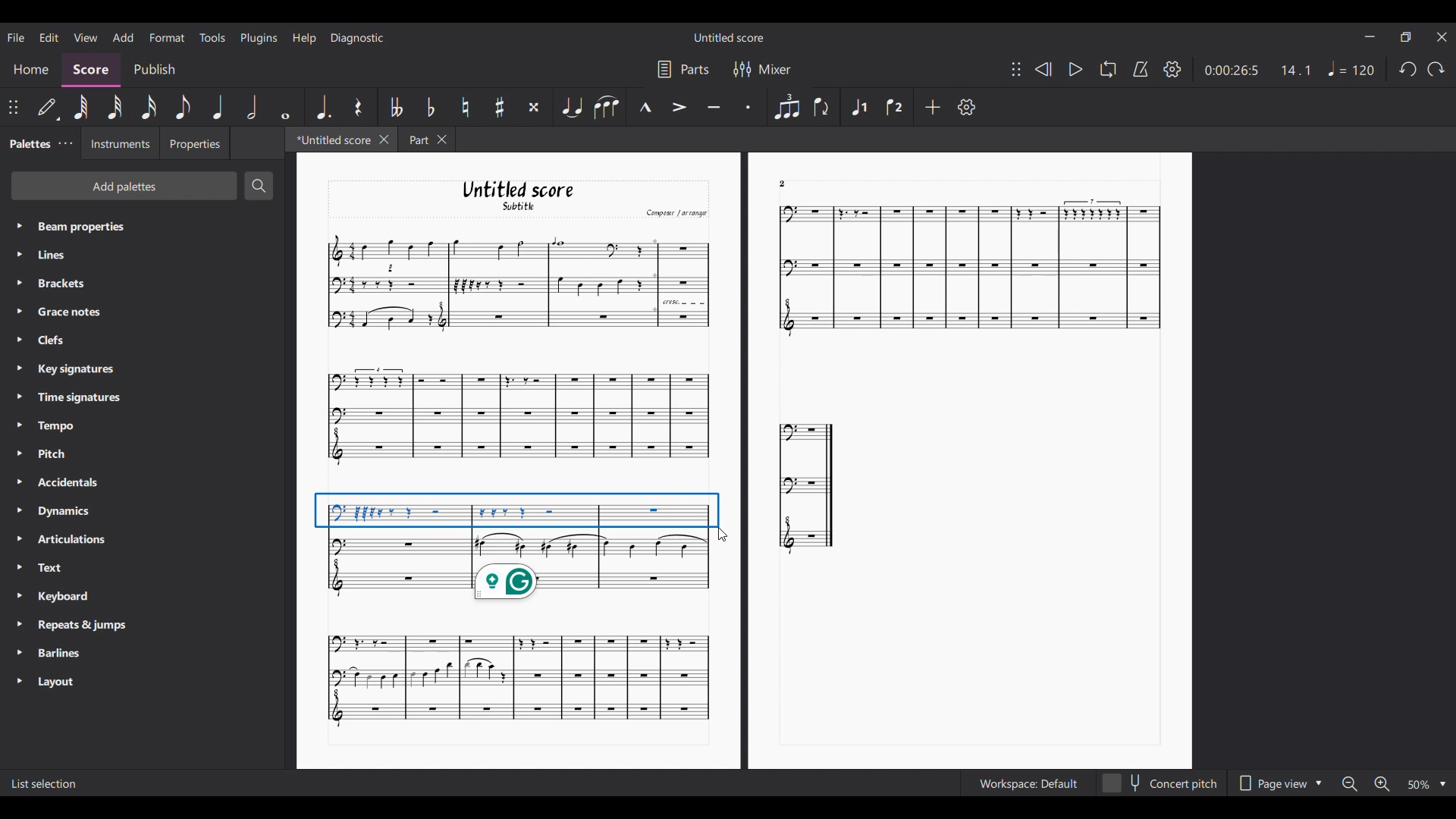  Describe the element at coordinates (58, 285) in the screenshot. I see `» Brackets` at that location.